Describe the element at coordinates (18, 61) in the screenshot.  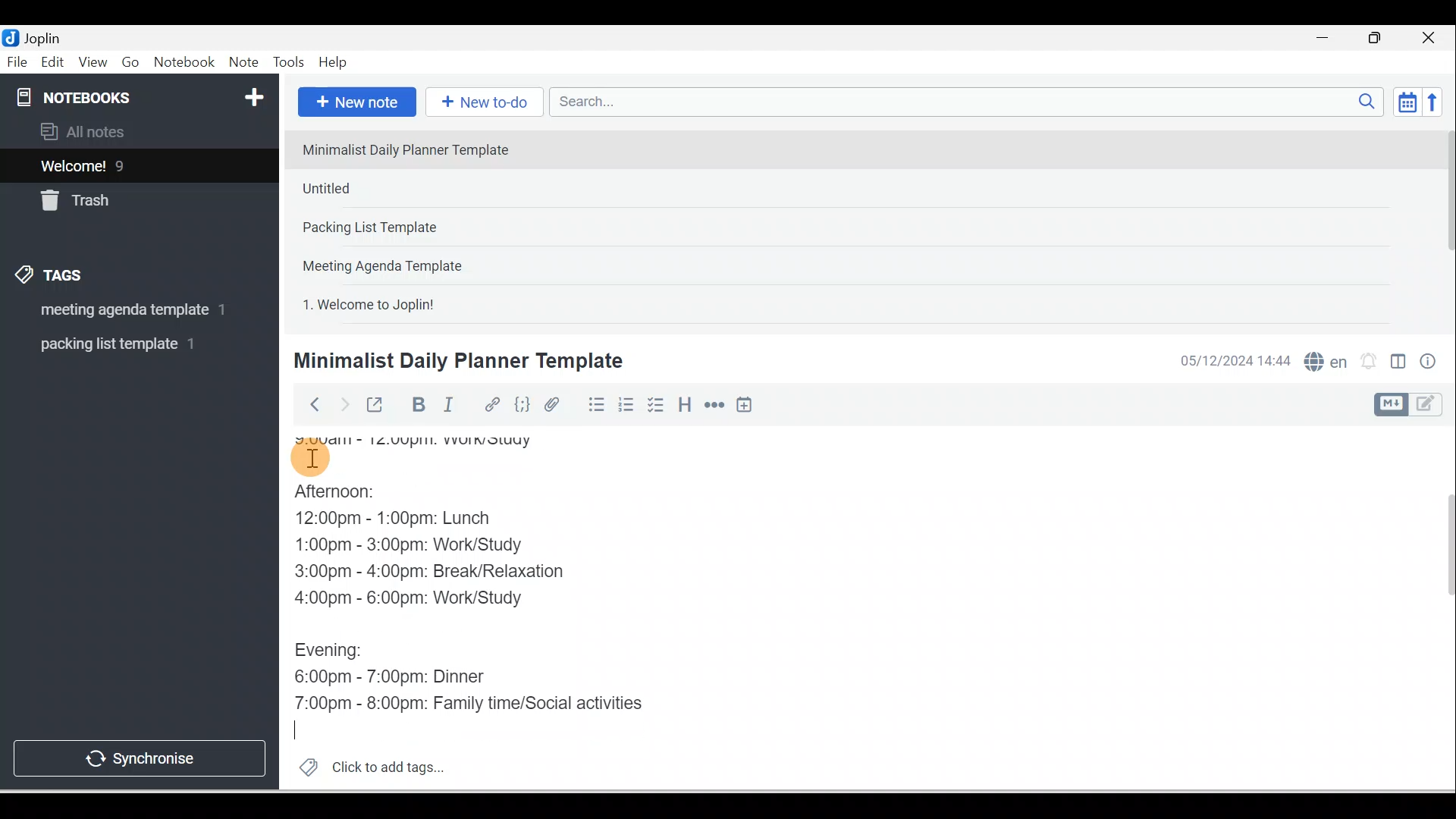
I see `File` at that location.